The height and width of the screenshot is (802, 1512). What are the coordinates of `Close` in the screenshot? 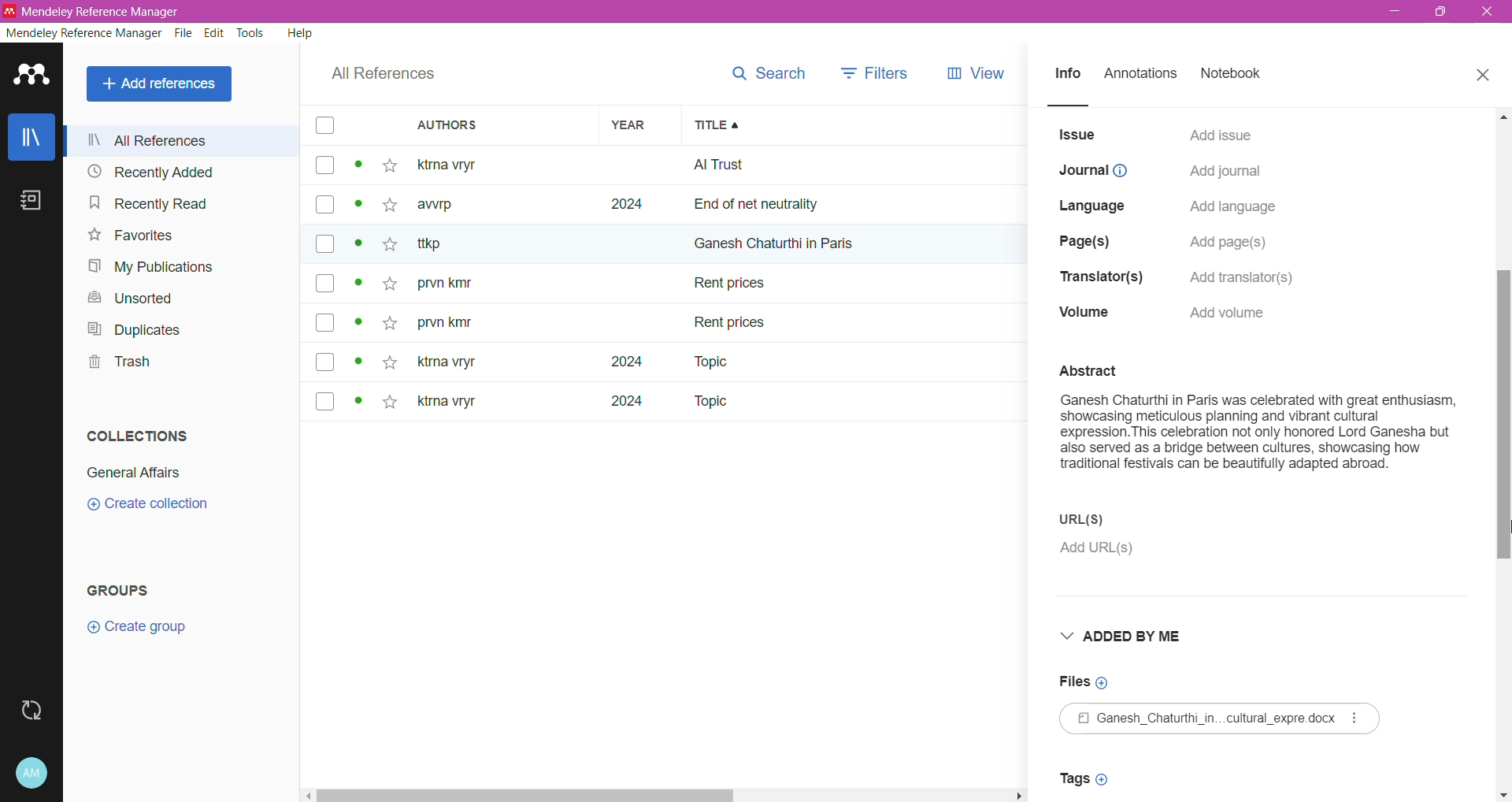 It's located at (1484, 76).